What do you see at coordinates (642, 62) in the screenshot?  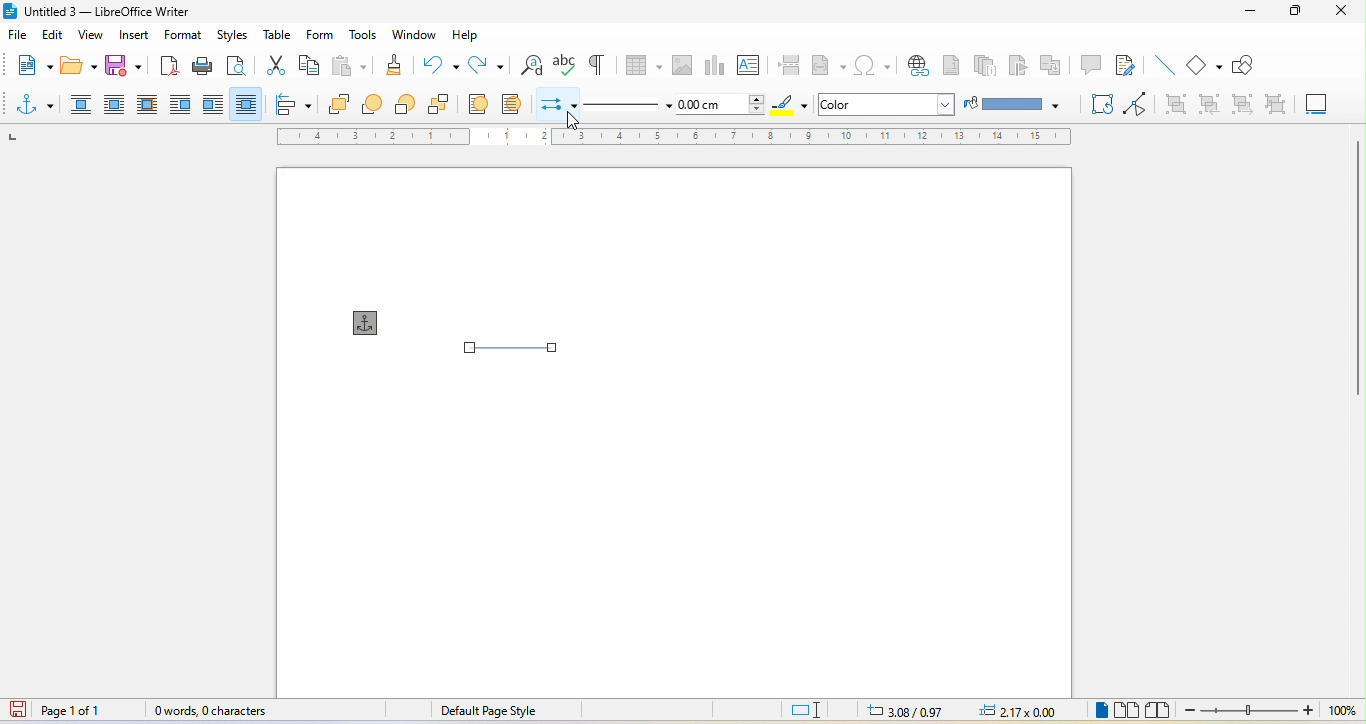 I see `table` at bounding box center [642, 62].